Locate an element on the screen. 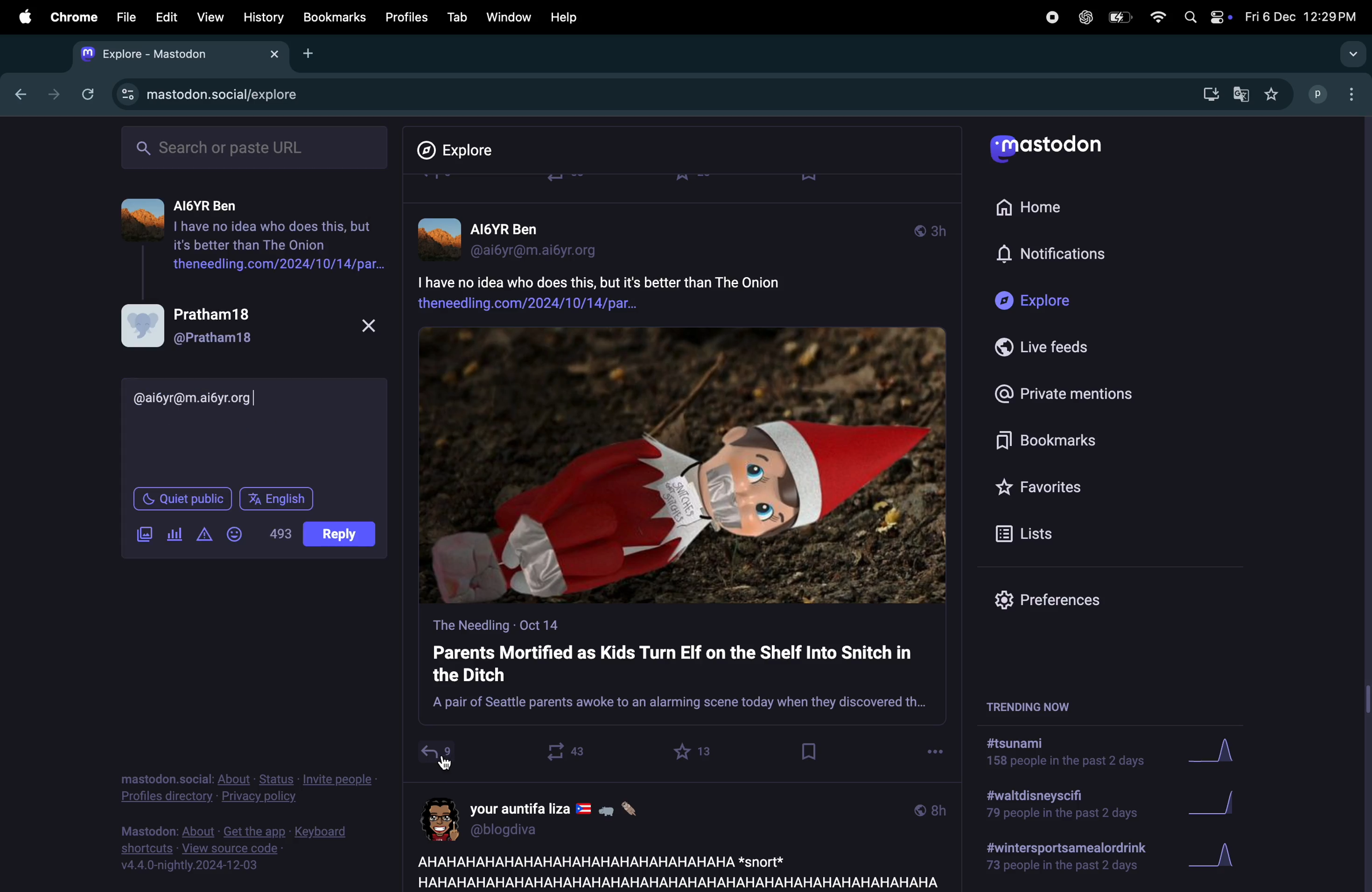  user profile is located at coordinates (518, 237).